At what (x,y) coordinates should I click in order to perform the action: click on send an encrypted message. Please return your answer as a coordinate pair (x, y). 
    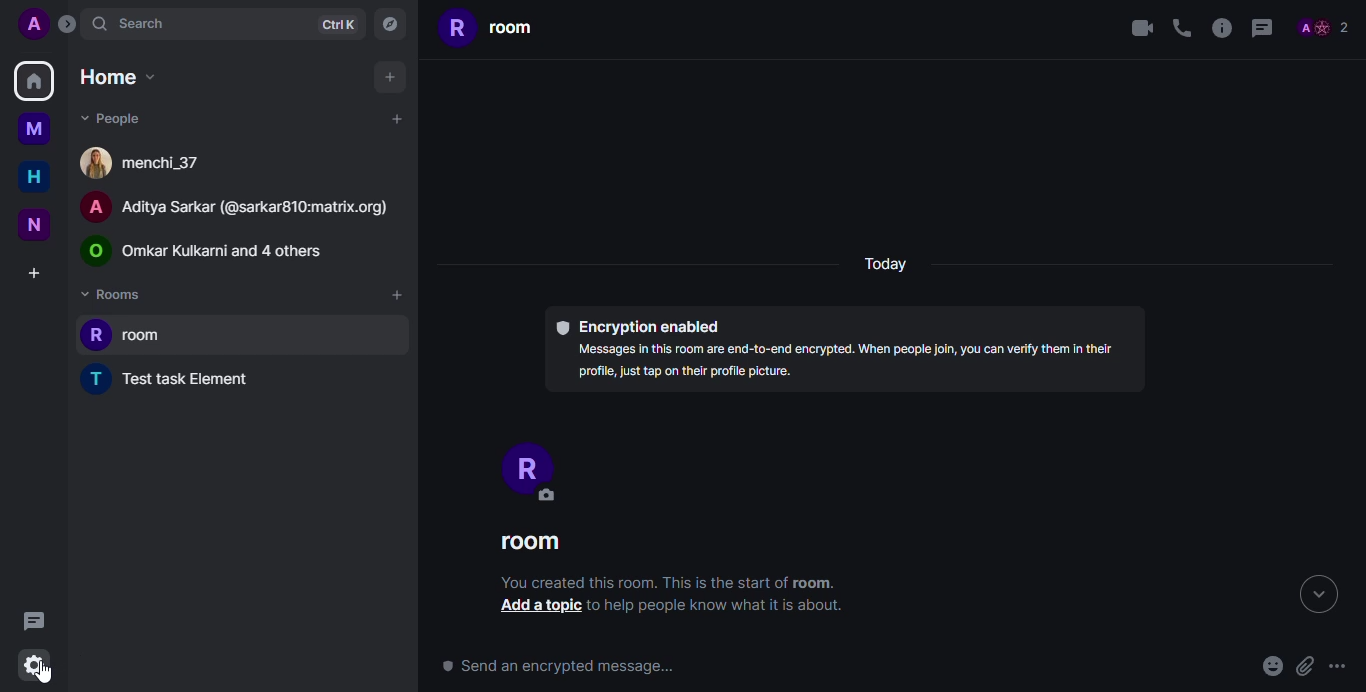
    Looking at the image, I should click on (569, 665).